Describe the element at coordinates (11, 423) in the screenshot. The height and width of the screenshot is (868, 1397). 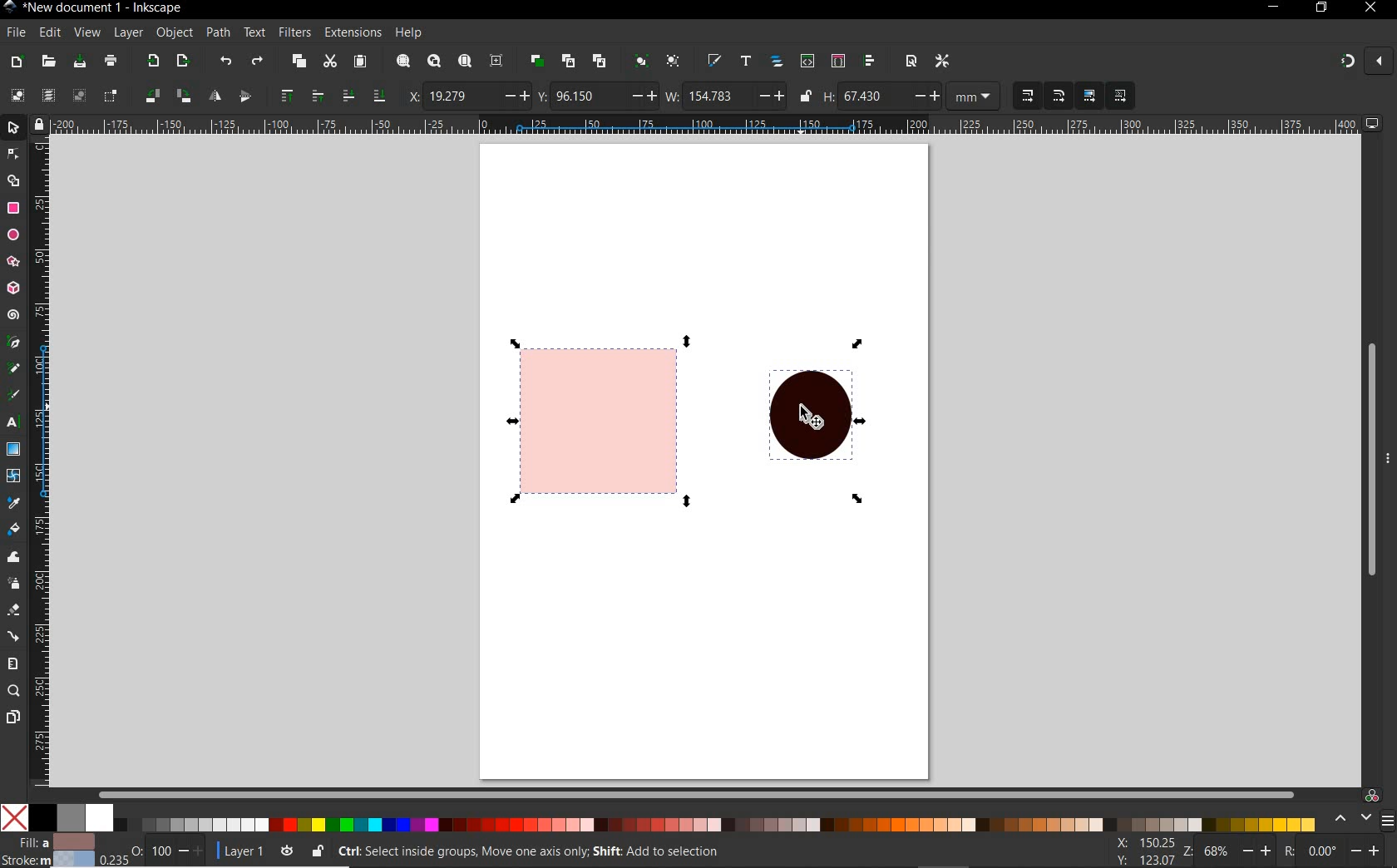
I see `text tool` at that location.